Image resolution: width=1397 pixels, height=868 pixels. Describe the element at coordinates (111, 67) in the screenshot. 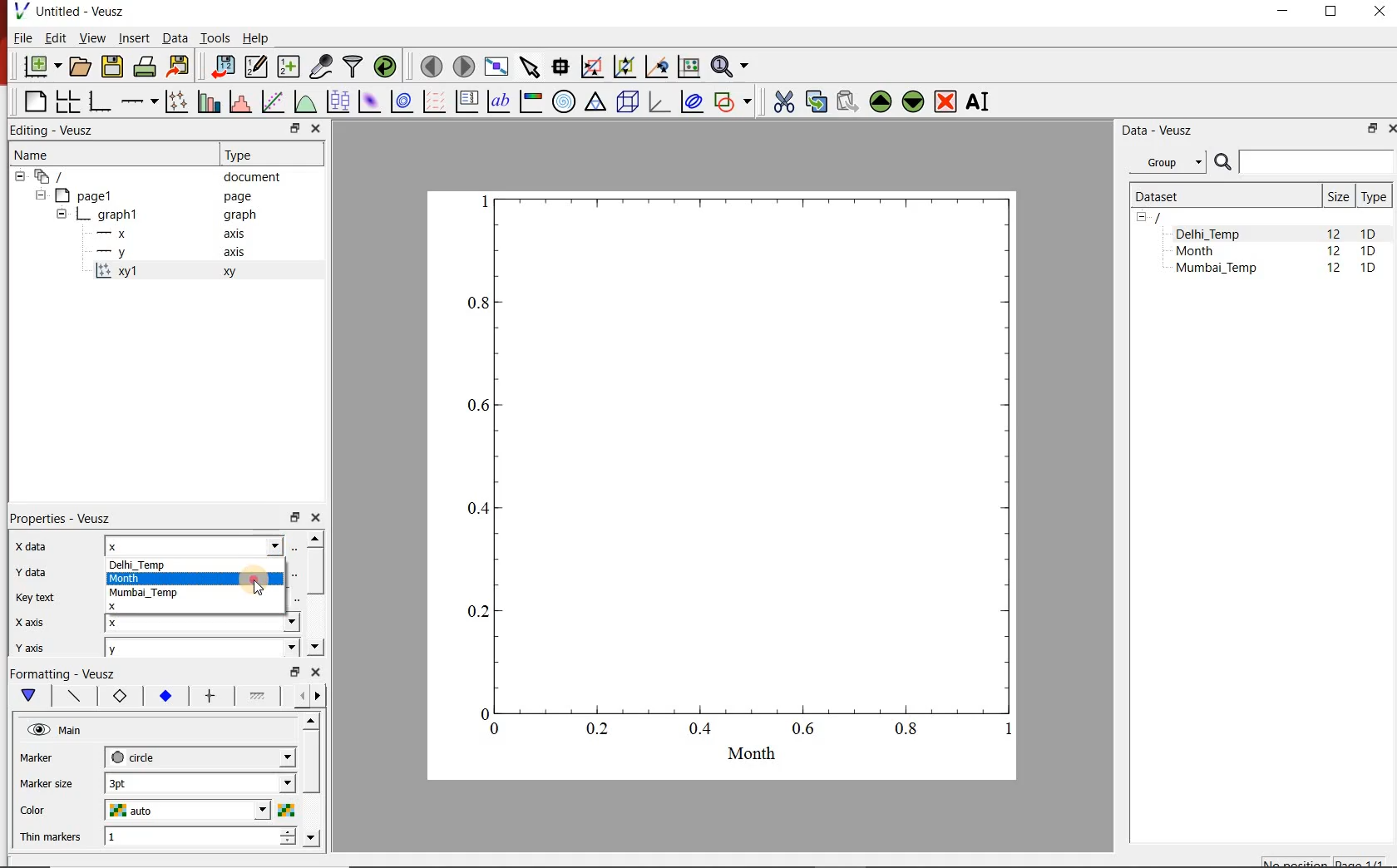

I see `save the document` at that location.